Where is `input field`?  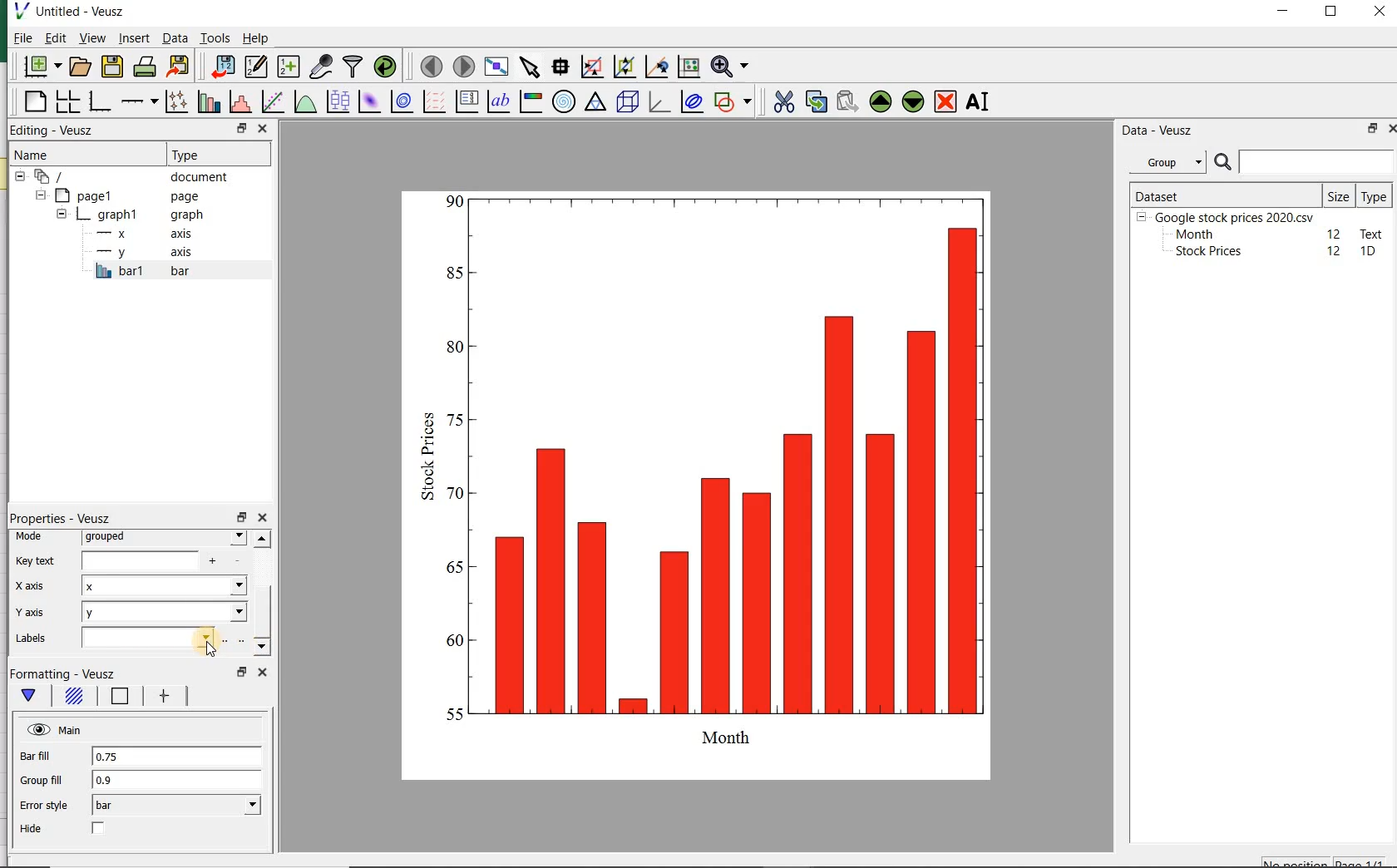 input field is located at coordinates (141, 560).